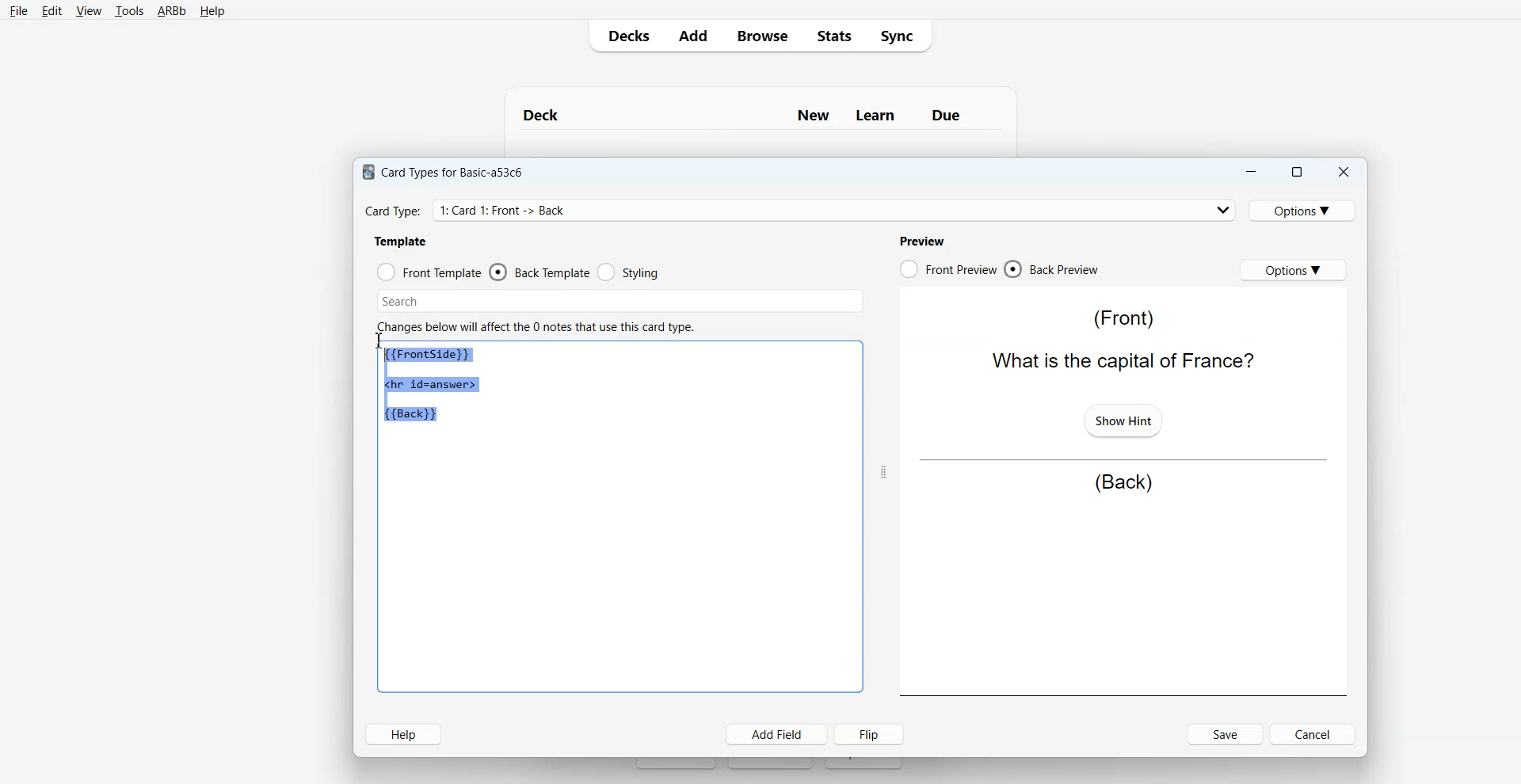  Describe the element at coordinates (129, 12) in the screenshot. I see `Tools` at that location.